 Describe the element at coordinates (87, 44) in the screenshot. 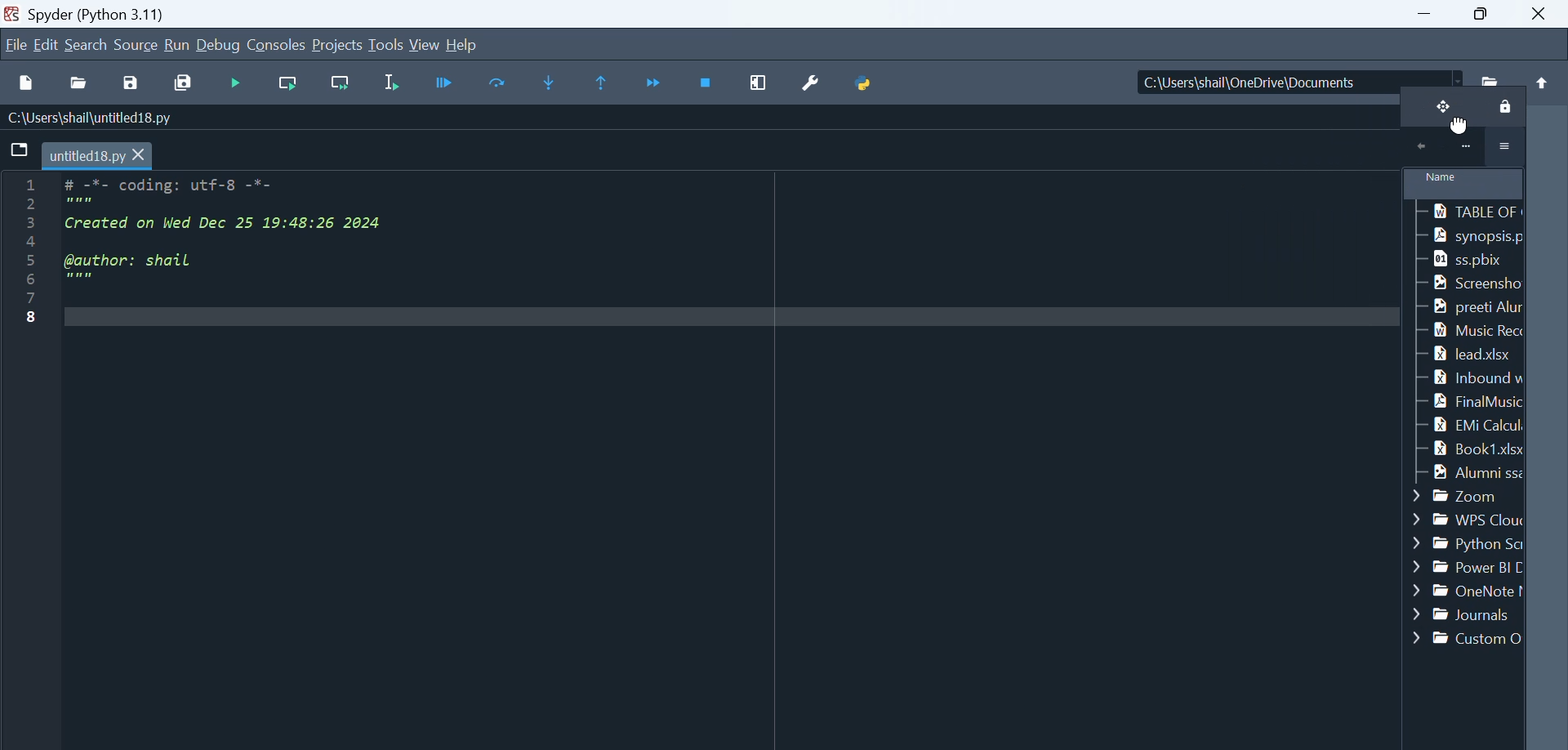

I see `search` at that location.